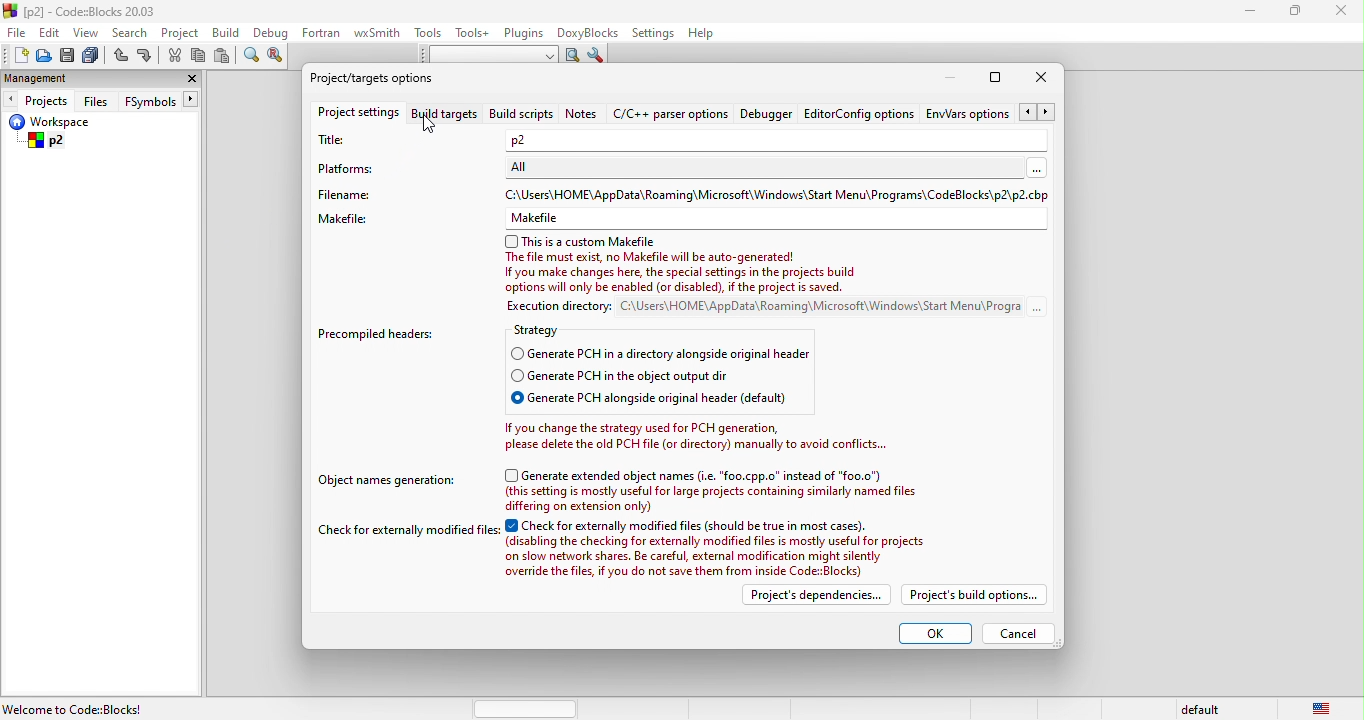  I want to click on minimize, so click(1250, 13).